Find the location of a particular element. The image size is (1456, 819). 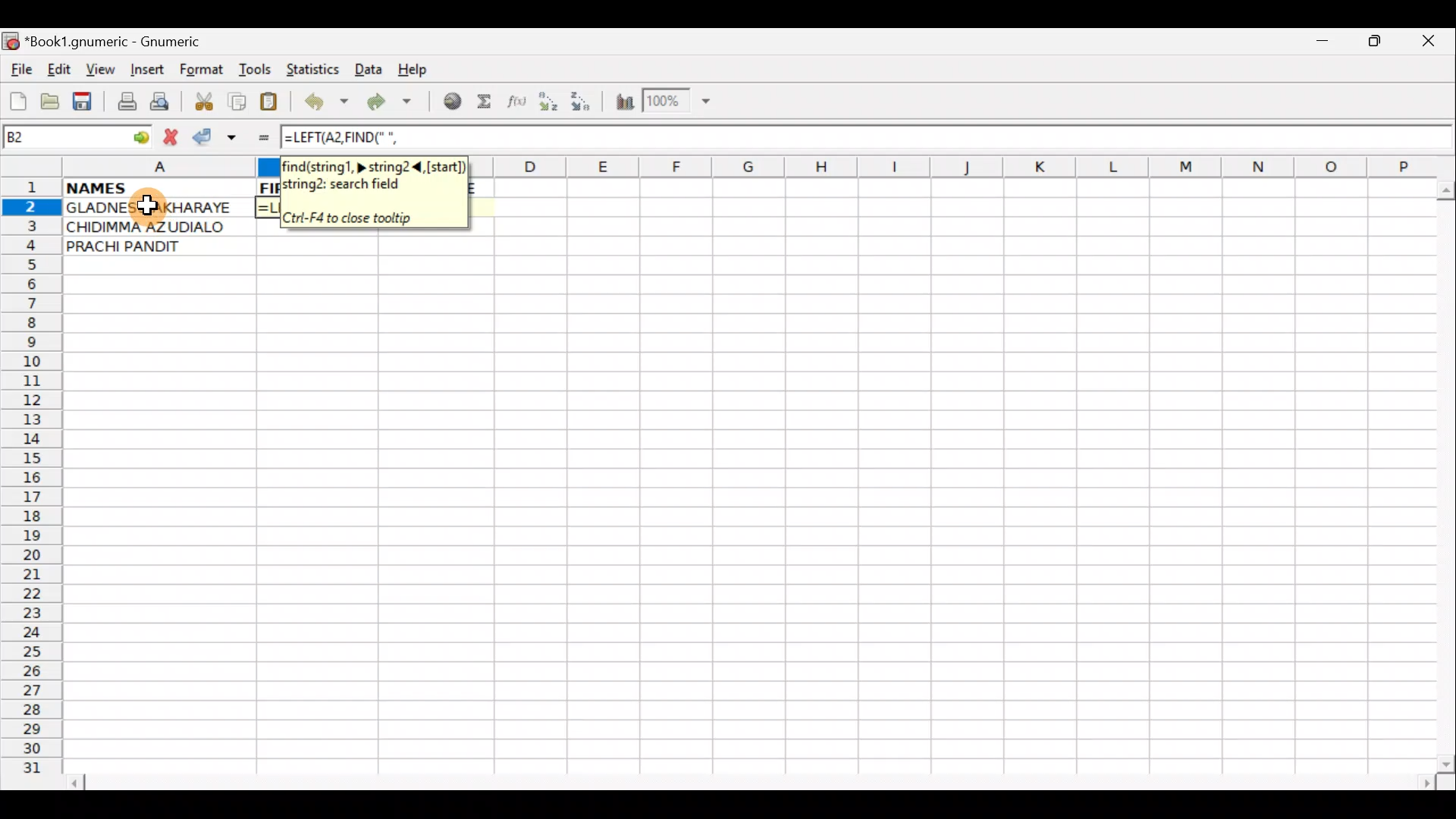

File is located at coordinates (20, 71).